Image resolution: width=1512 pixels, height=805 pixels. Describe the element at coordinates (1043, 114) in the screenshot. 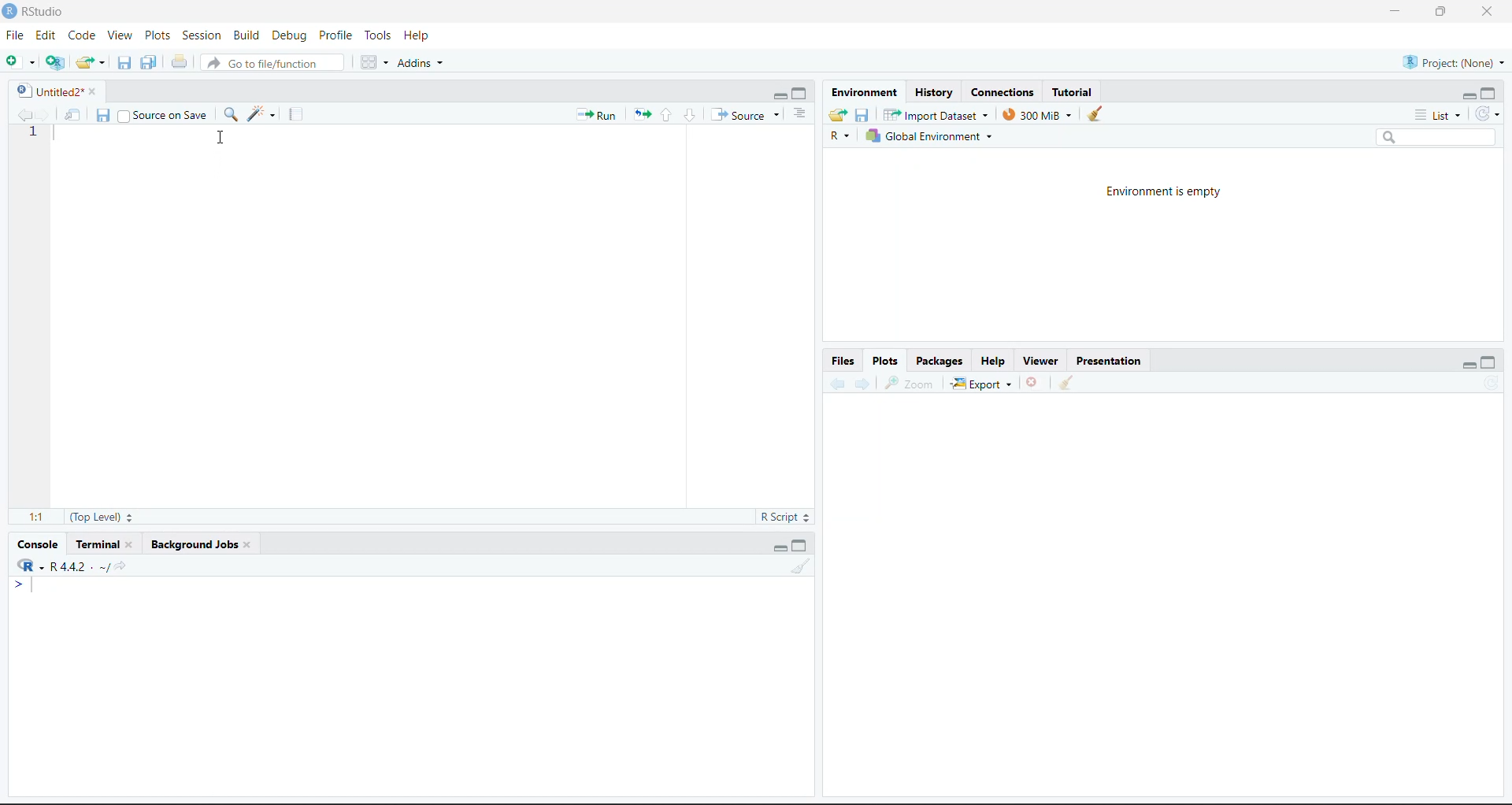

I see `300MB` at that location.